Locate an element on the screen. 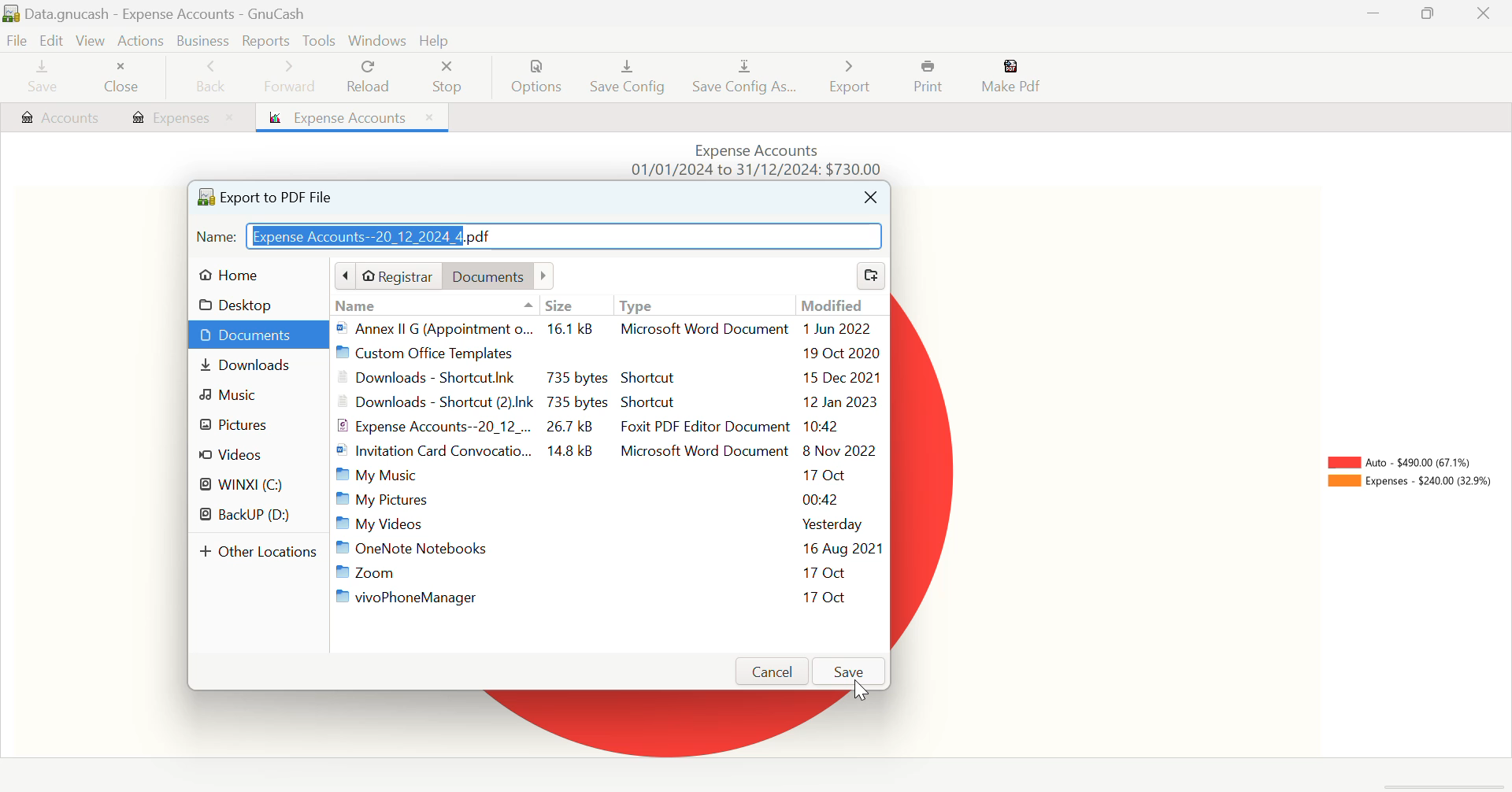 The image size is (1512, 792). Custom Office Templates Folder is located at coordinates (611, 353).